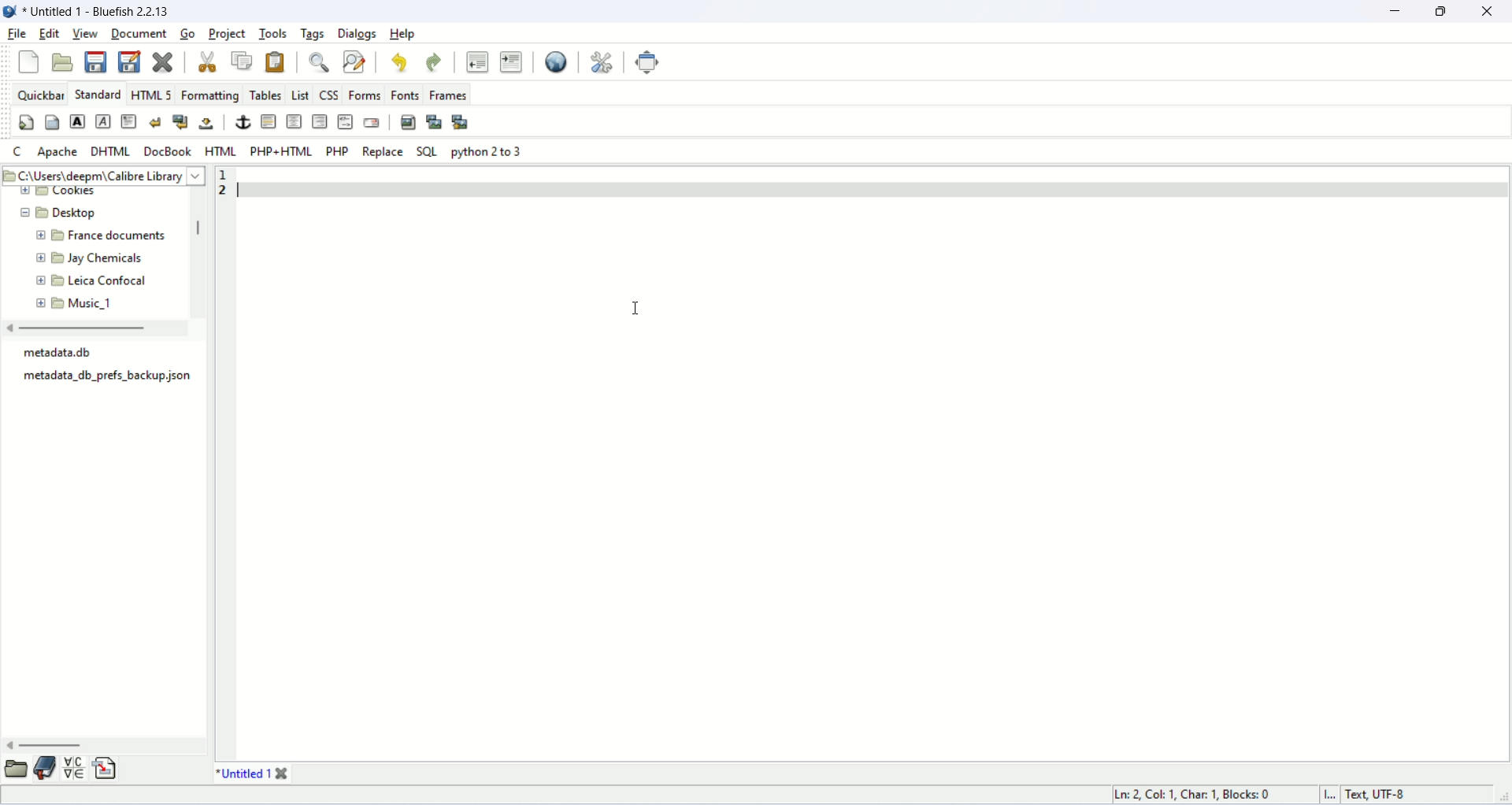  What do you see at coordinates (95, 236) in the screenshot?
I see `folder name` at bounding box center [95, 236].